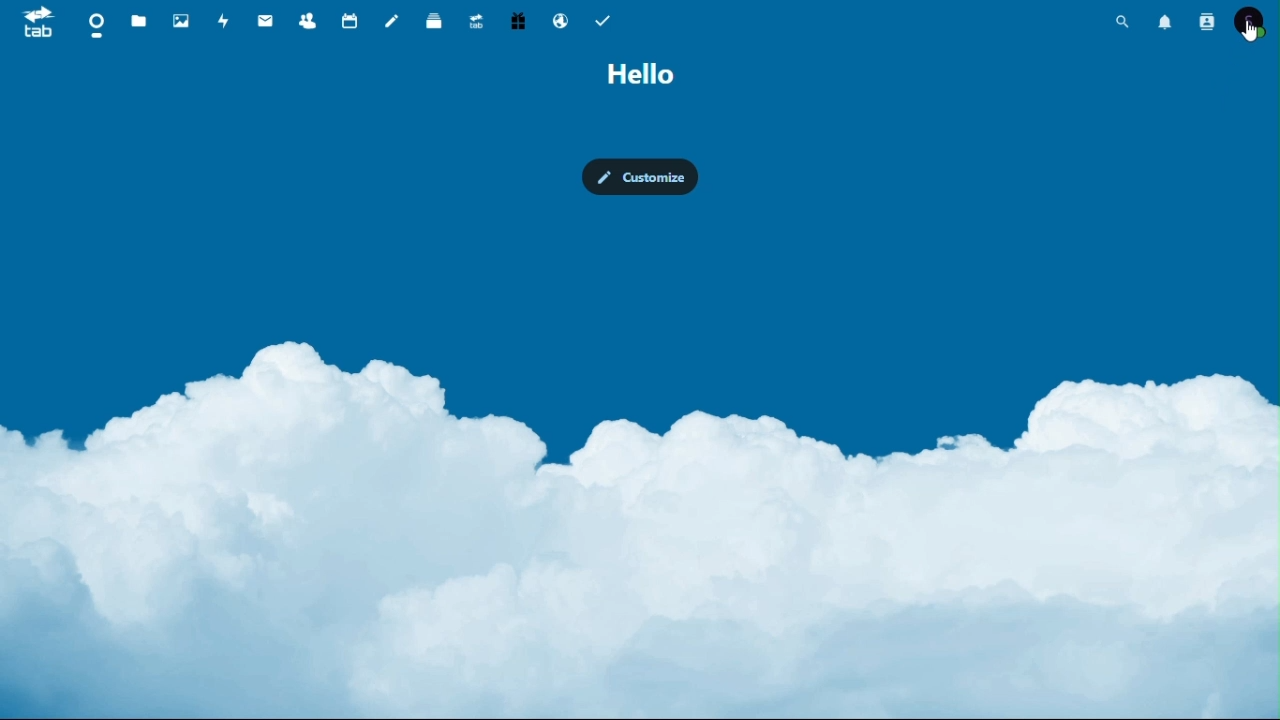 Image resolution: width=1280 pixels, height=720 pixels. Describe the element at coordinates (642, 179) in the screenshot. I see `Customise` at that location.